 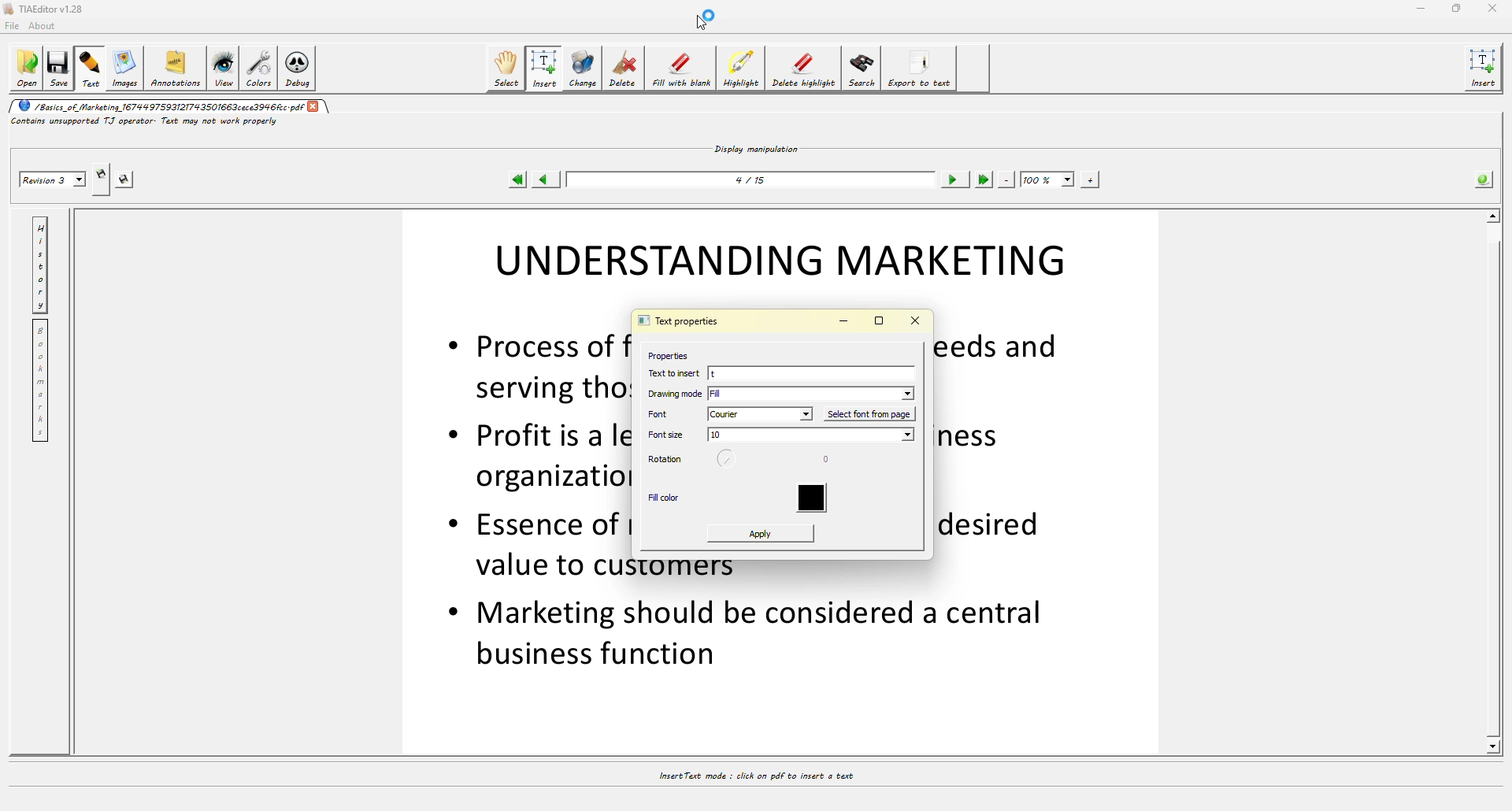 I want to click on properties, so click(x=666, y=354).